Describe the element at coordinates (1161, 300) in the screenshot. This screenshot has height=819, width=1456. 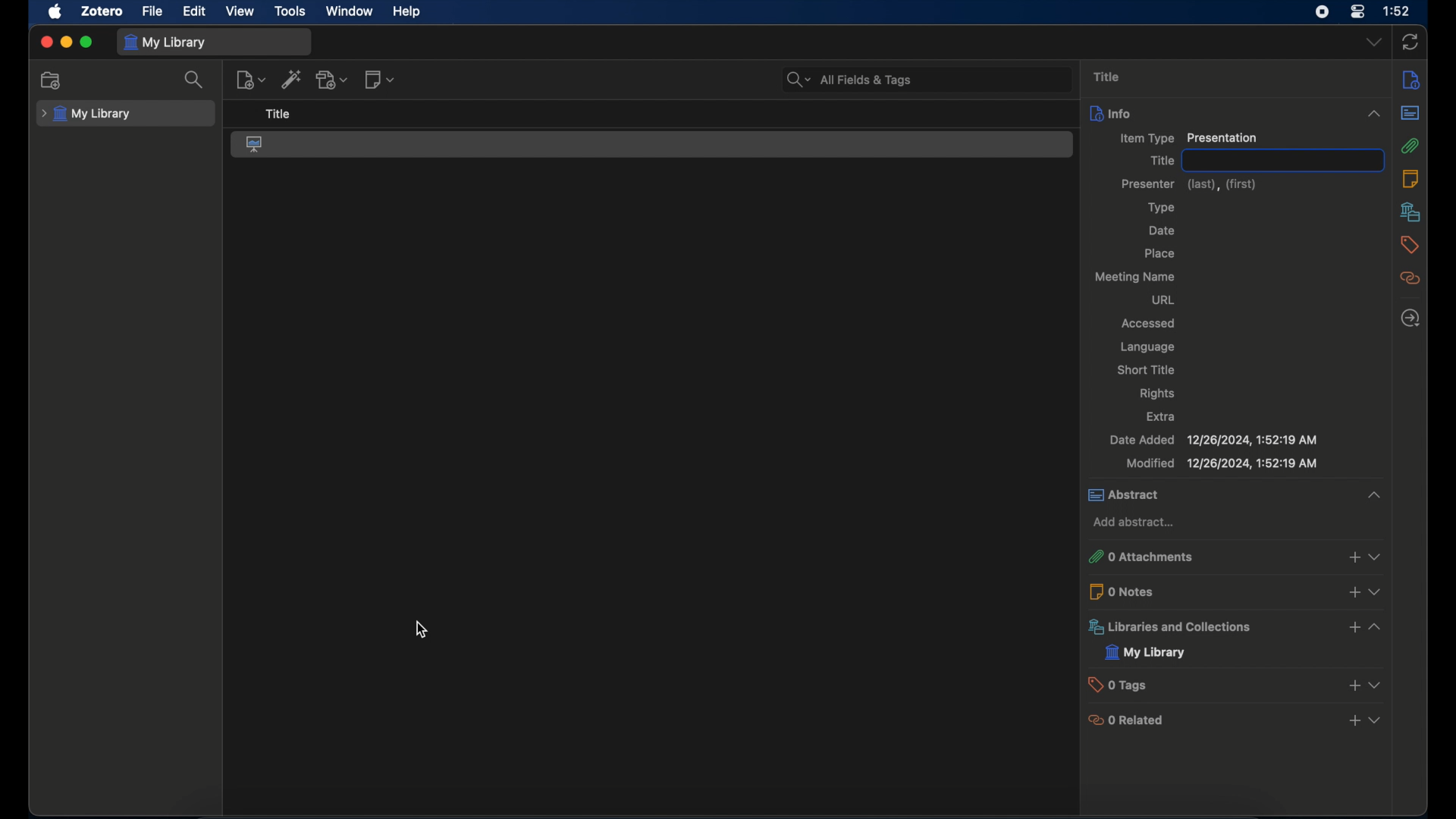
I see `url` at that location.